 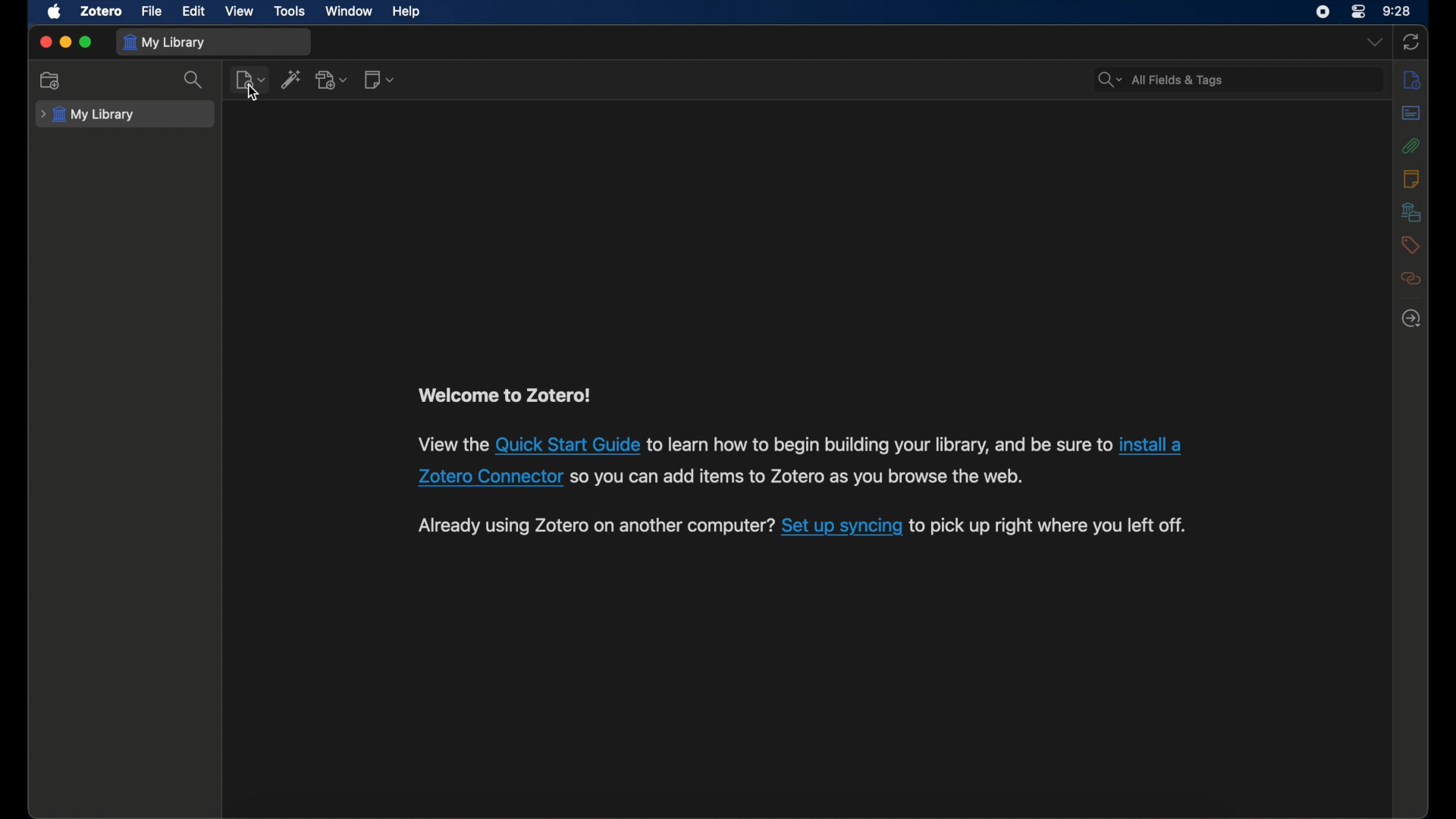 What do you see at coordinates (1411, 146) in the screenshot?
I see `attachments` at bounding box center [1411, 146].